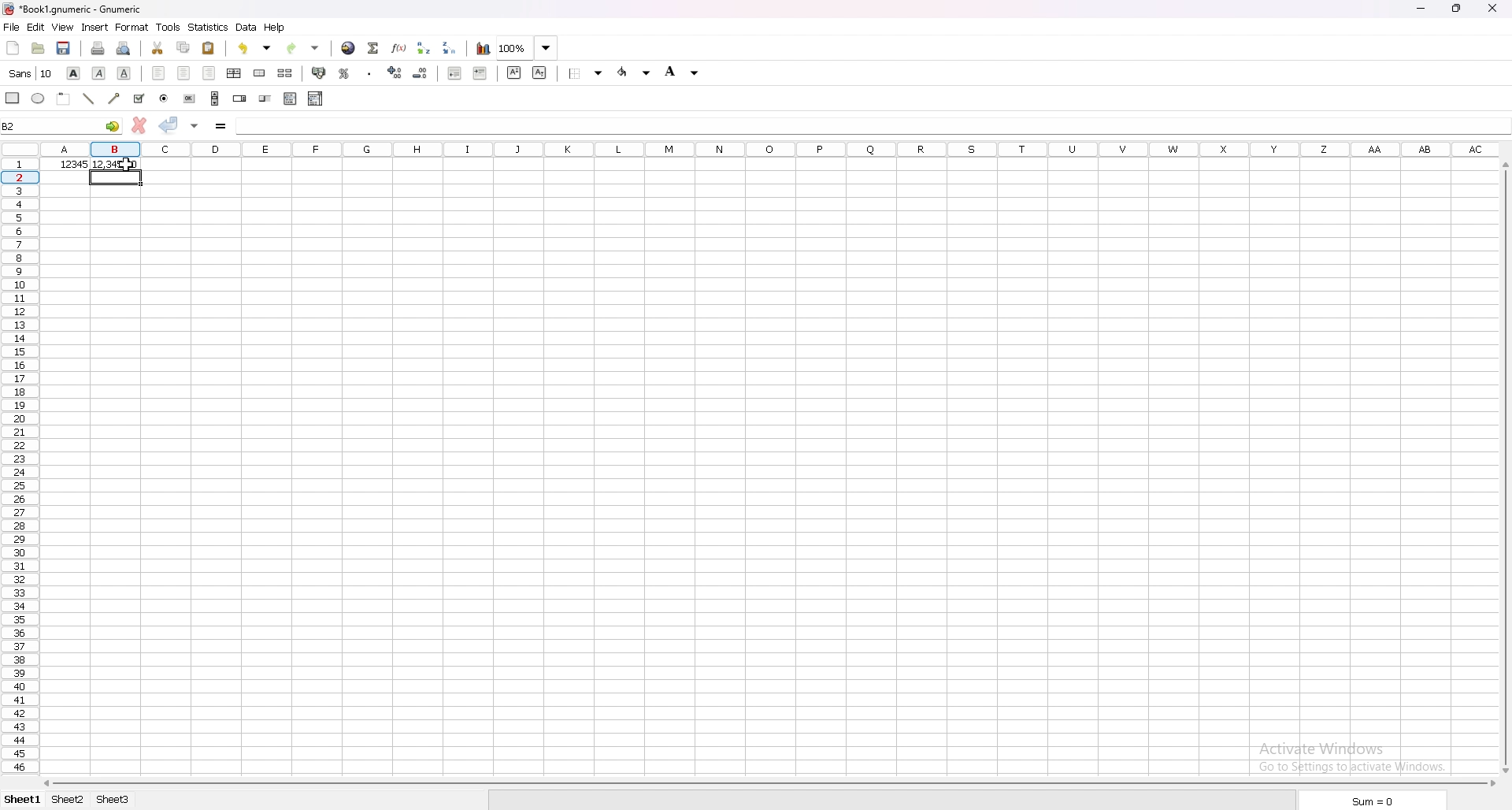  What do you see at coordinates (1458, 7) in the screenshot?
I see `resize` at bounding box center [1458, 7].